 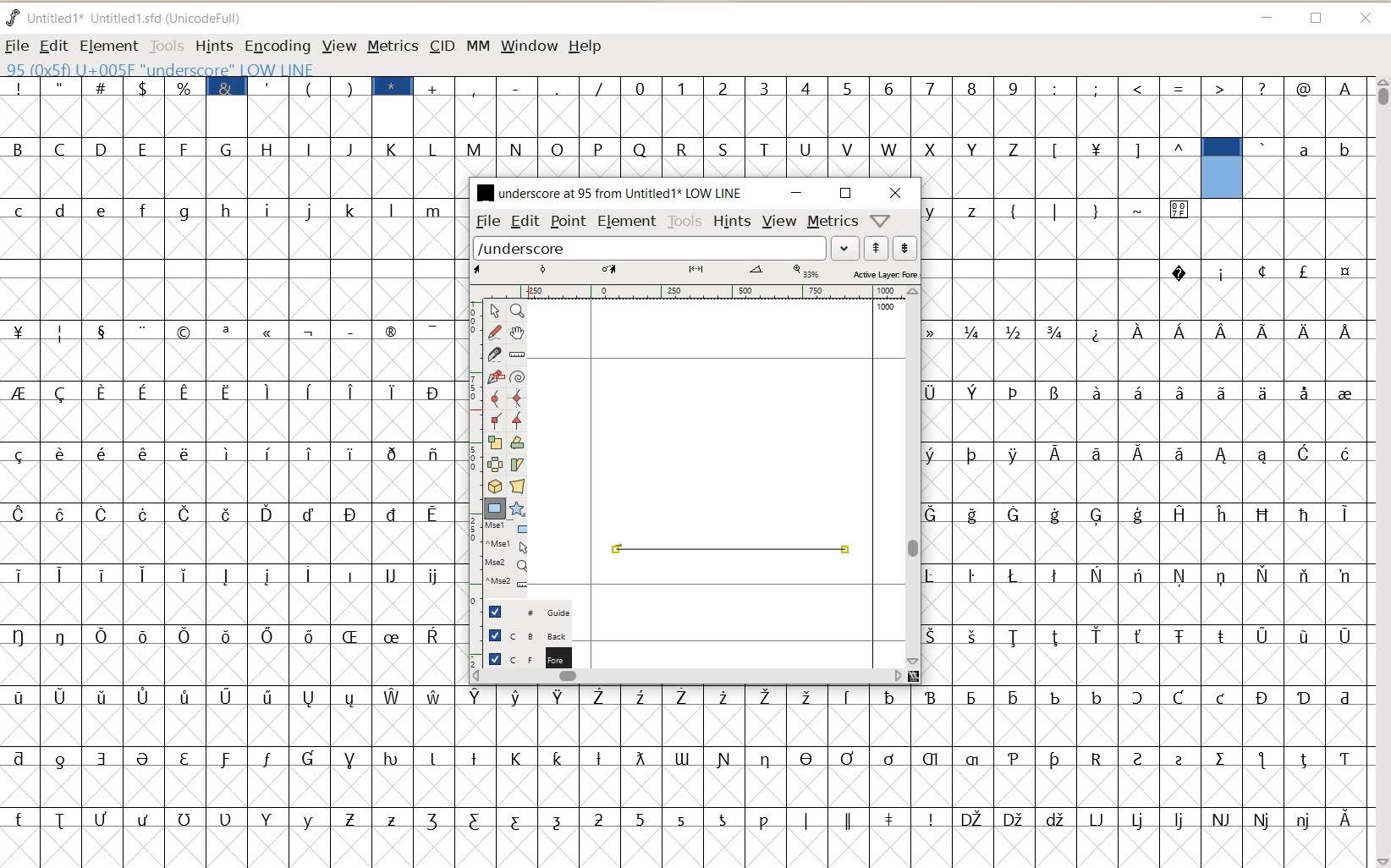 I want to click on Rotate the selection, so click(x=518, y=442).